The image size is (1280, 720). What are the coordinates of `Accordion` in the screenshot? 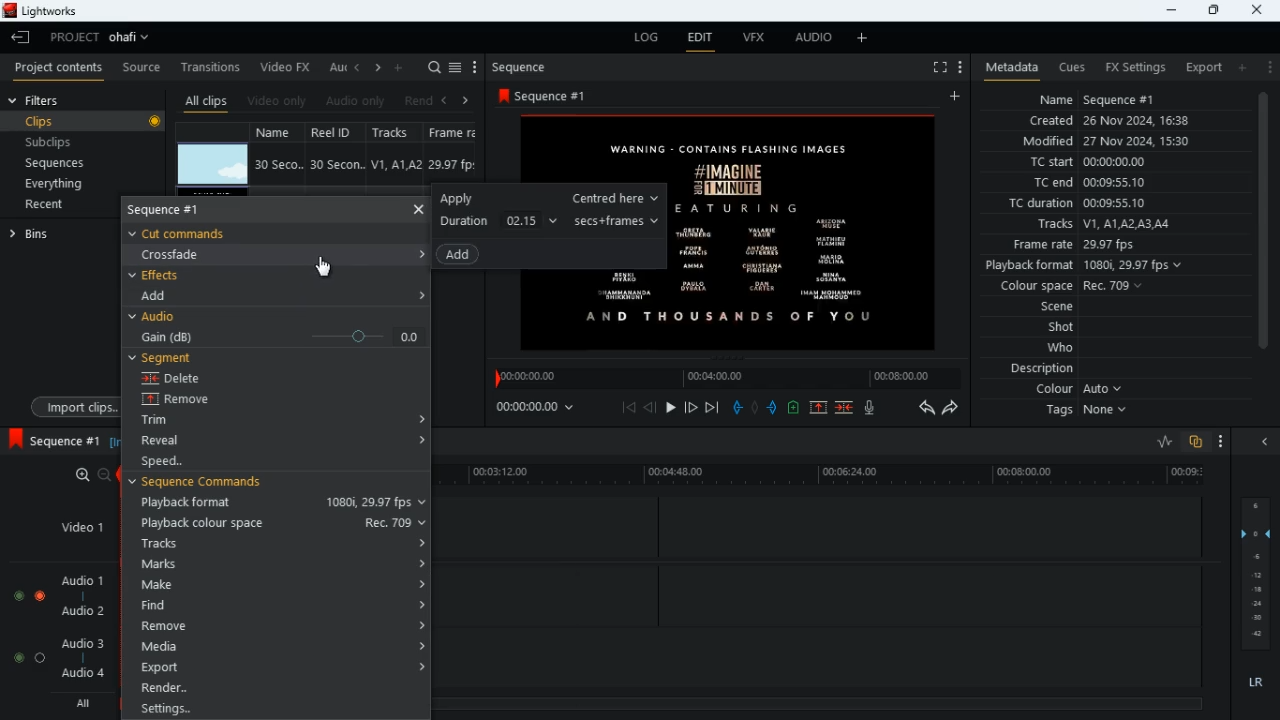 It's located at (418, 253).